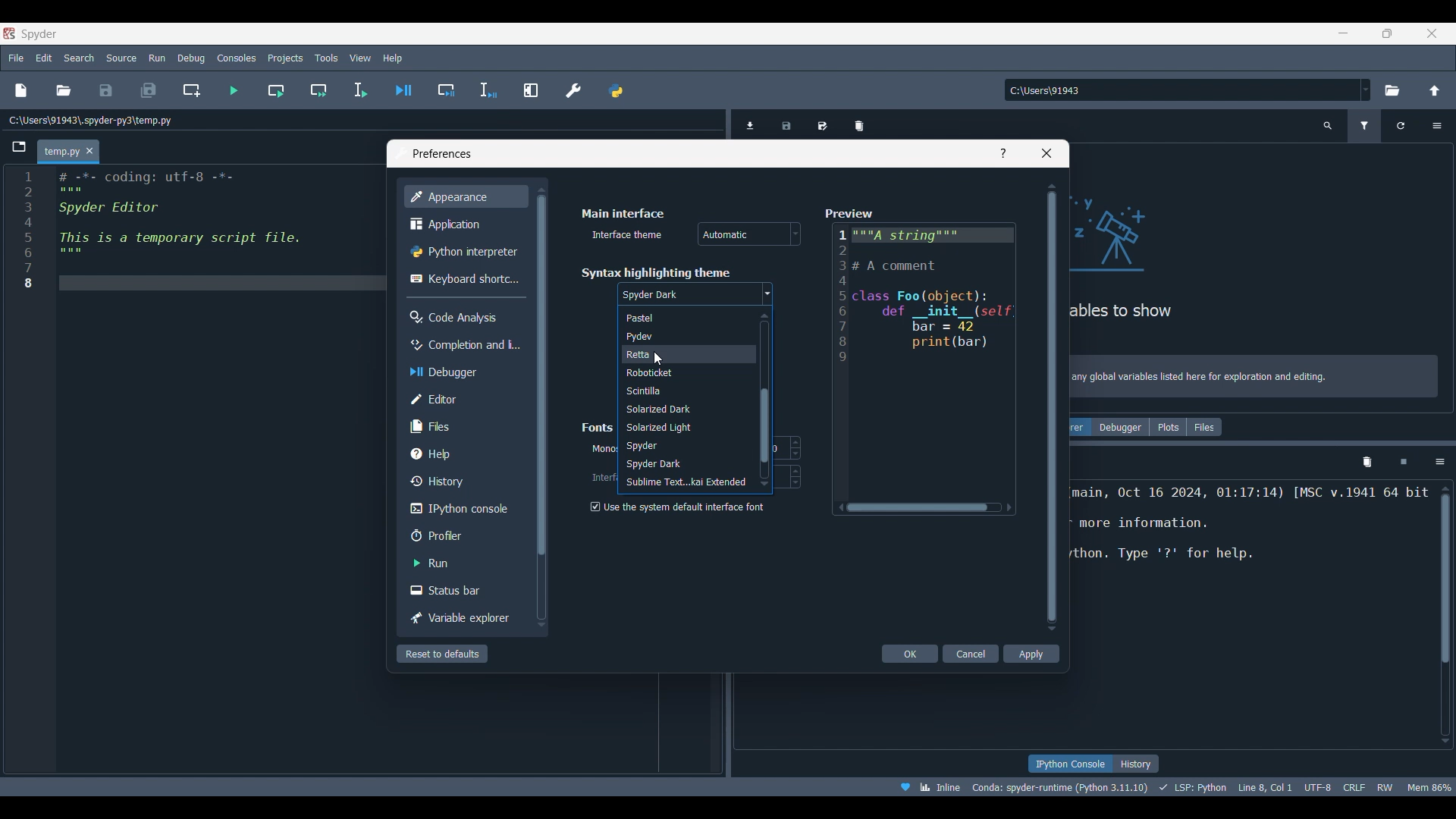 The height and width of the screenshot is (819, 1456). What do you see at coordinates (191, 58) in the screenshot?
I see `Debug menu` at bounding box center [191, 58].